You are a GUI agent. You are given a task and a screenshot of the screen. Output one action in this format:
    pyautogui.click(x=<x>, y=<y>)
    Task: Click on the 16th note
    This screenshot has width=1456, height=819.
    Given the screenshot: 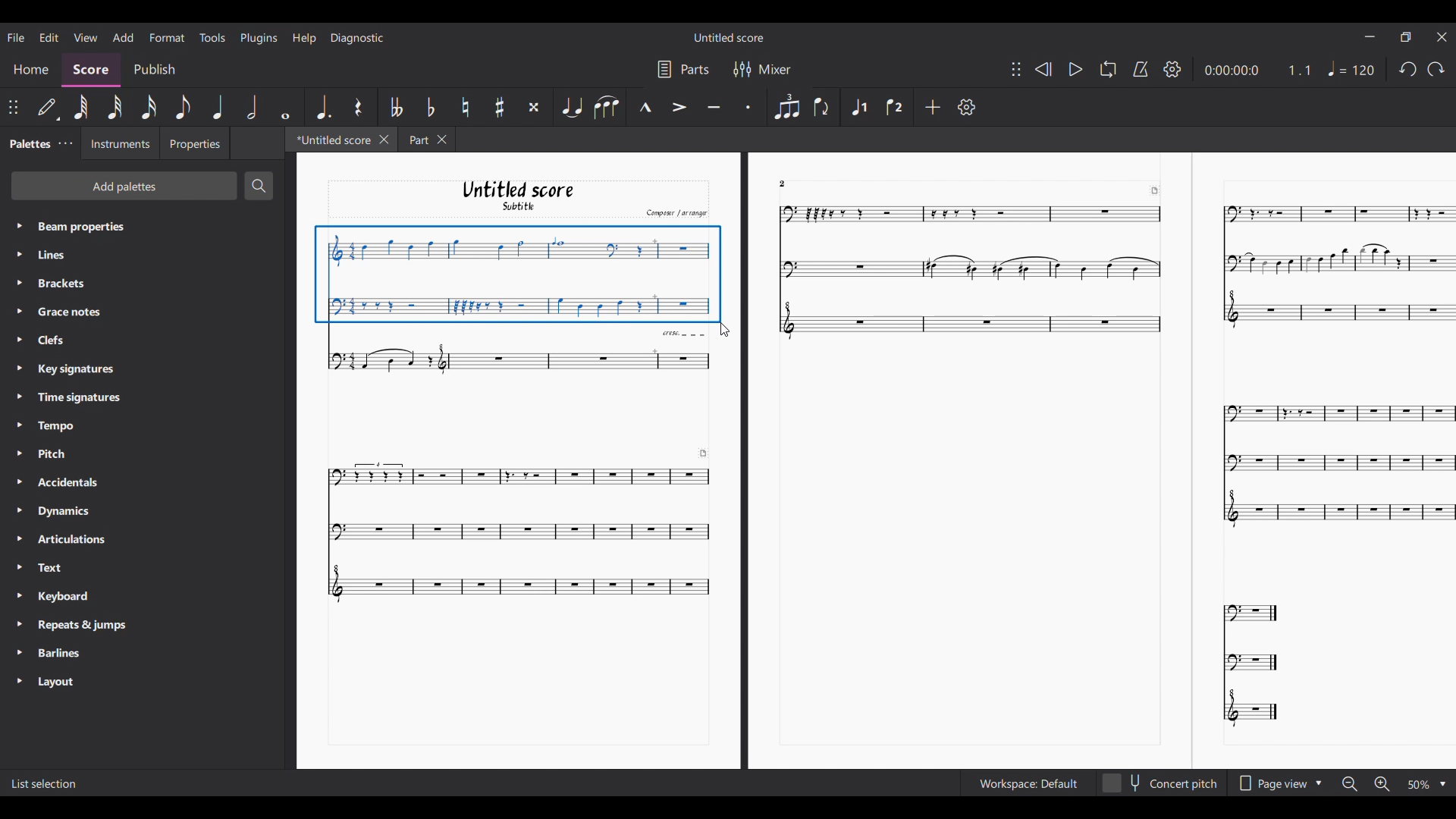 What is the action you would take?
    pyautogui.click(x=149, y=108)
    